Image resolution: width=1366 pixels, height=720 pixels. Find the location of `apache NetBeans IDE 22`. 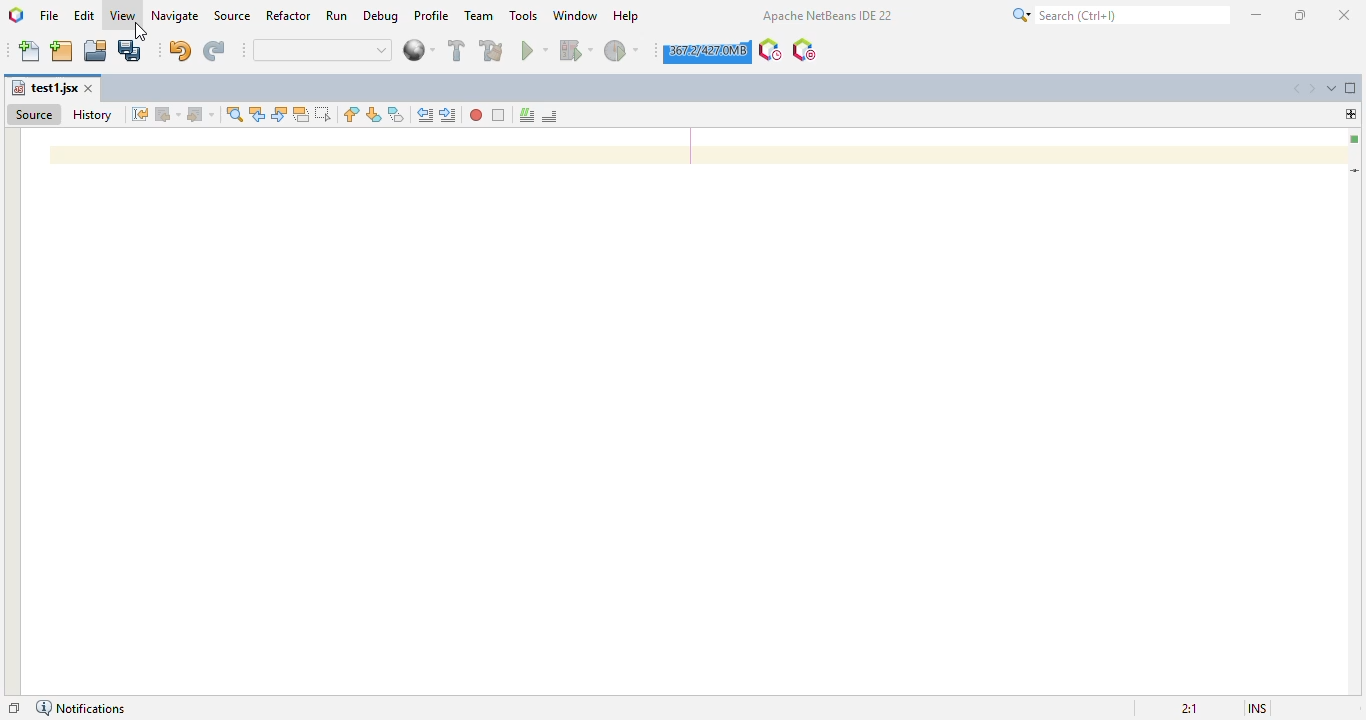

apache NetBeans IDE 22 is located at coordinates (828, 15).